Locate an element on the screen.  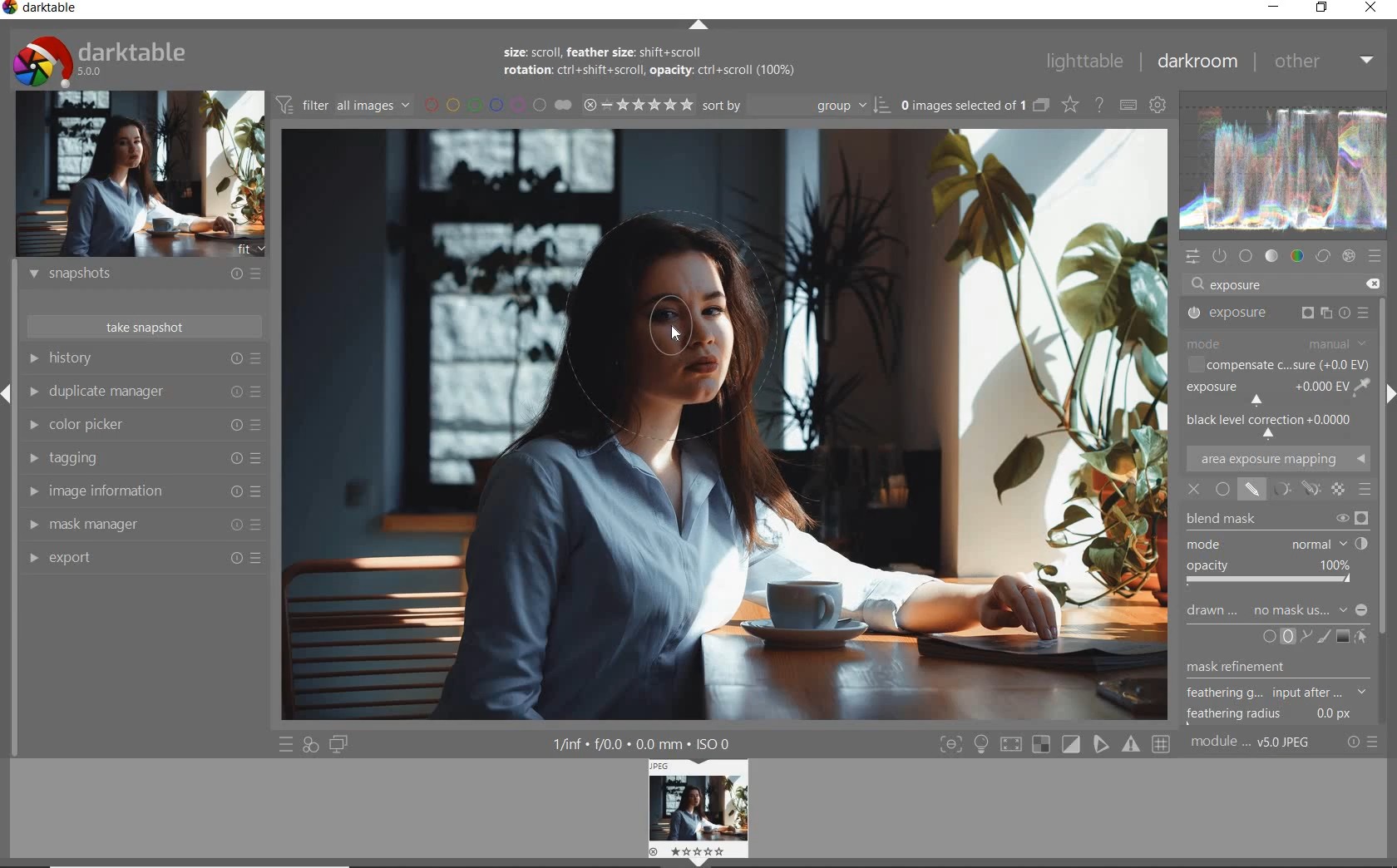
image preview is located at coordinates (141, 176).